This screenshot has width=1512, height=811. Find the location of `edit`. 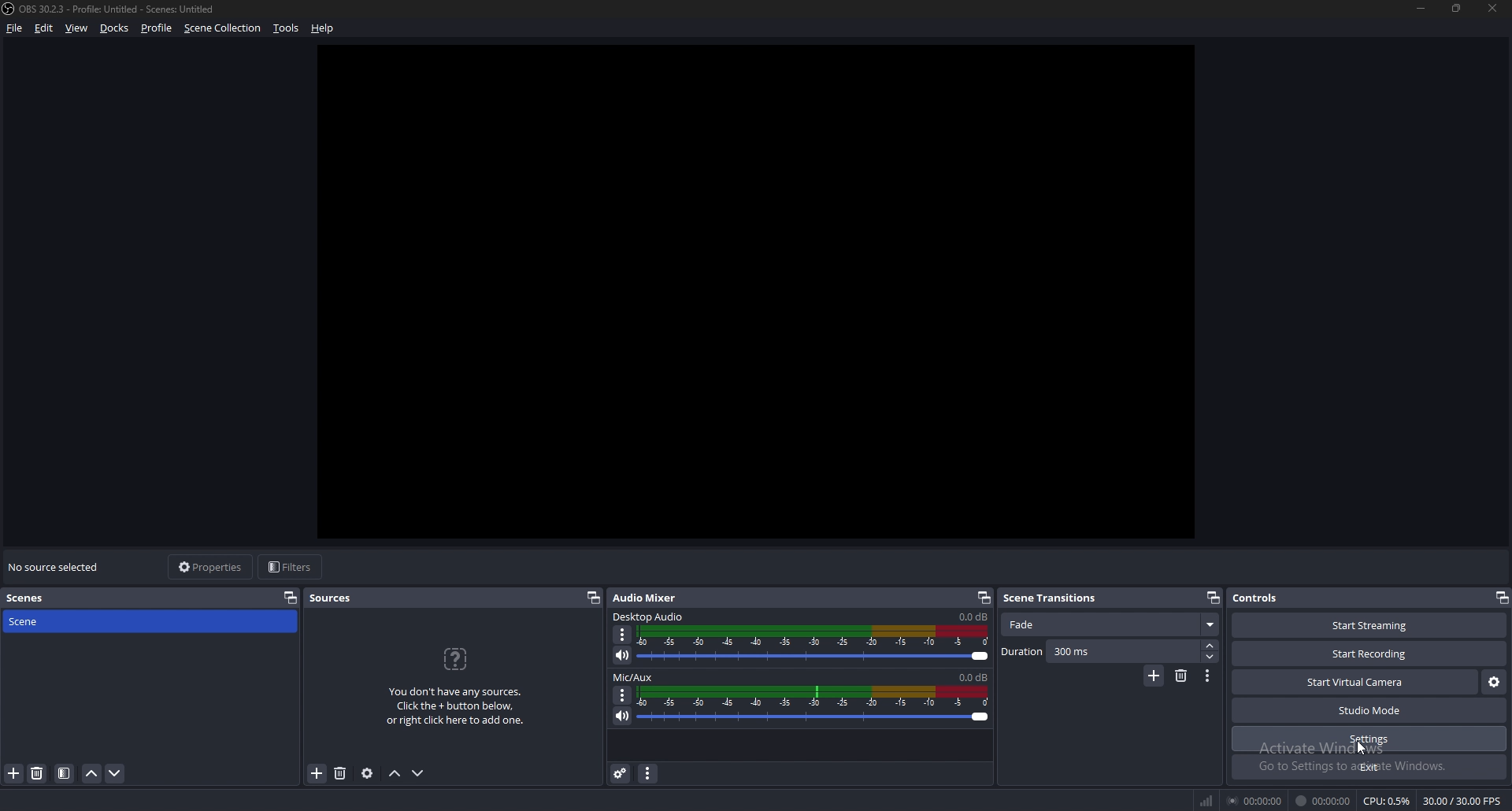

edit is located at coordinates (43, 28).